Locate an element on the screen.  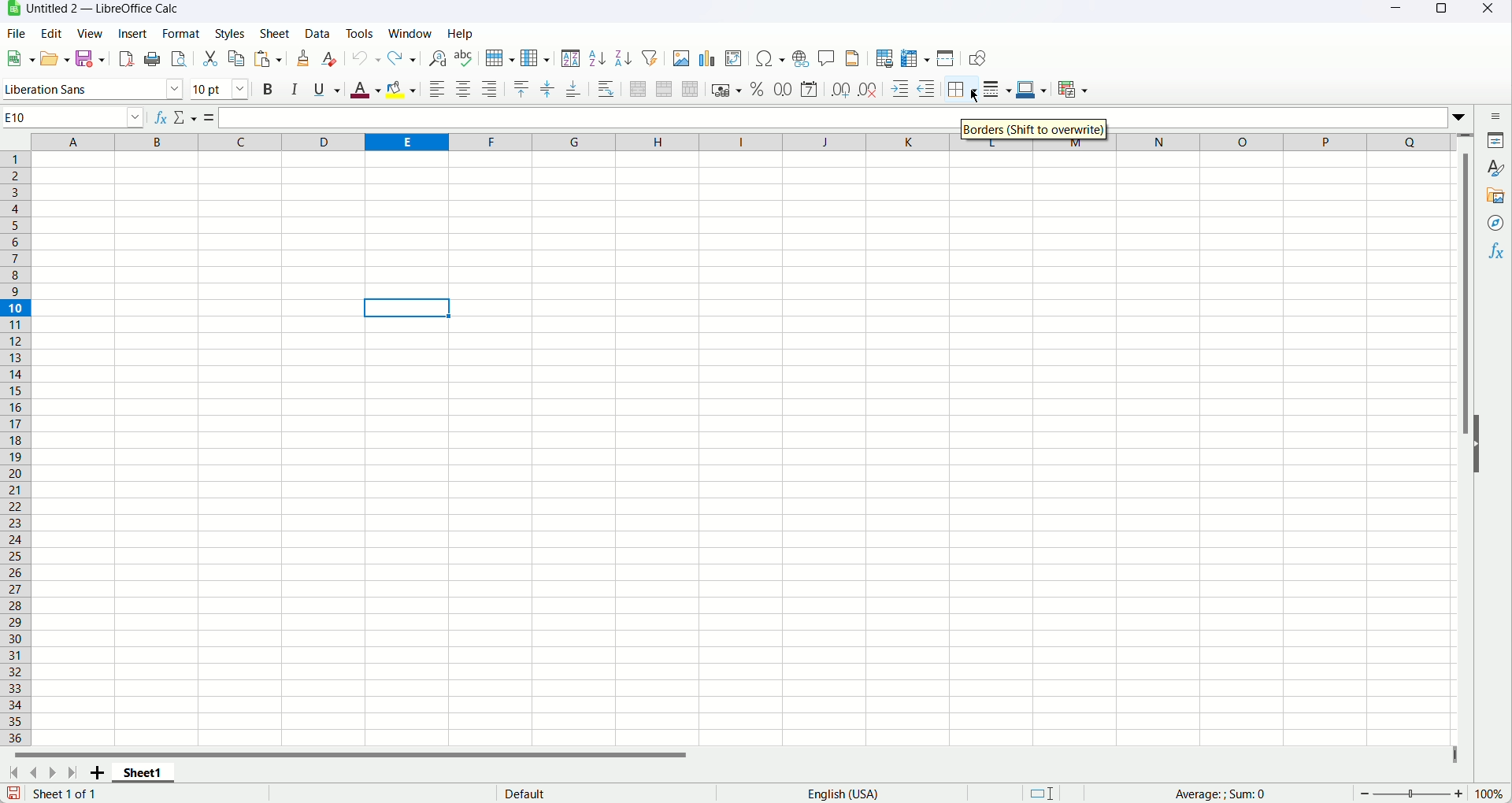
Spelling is located at coordinates (465, 58).